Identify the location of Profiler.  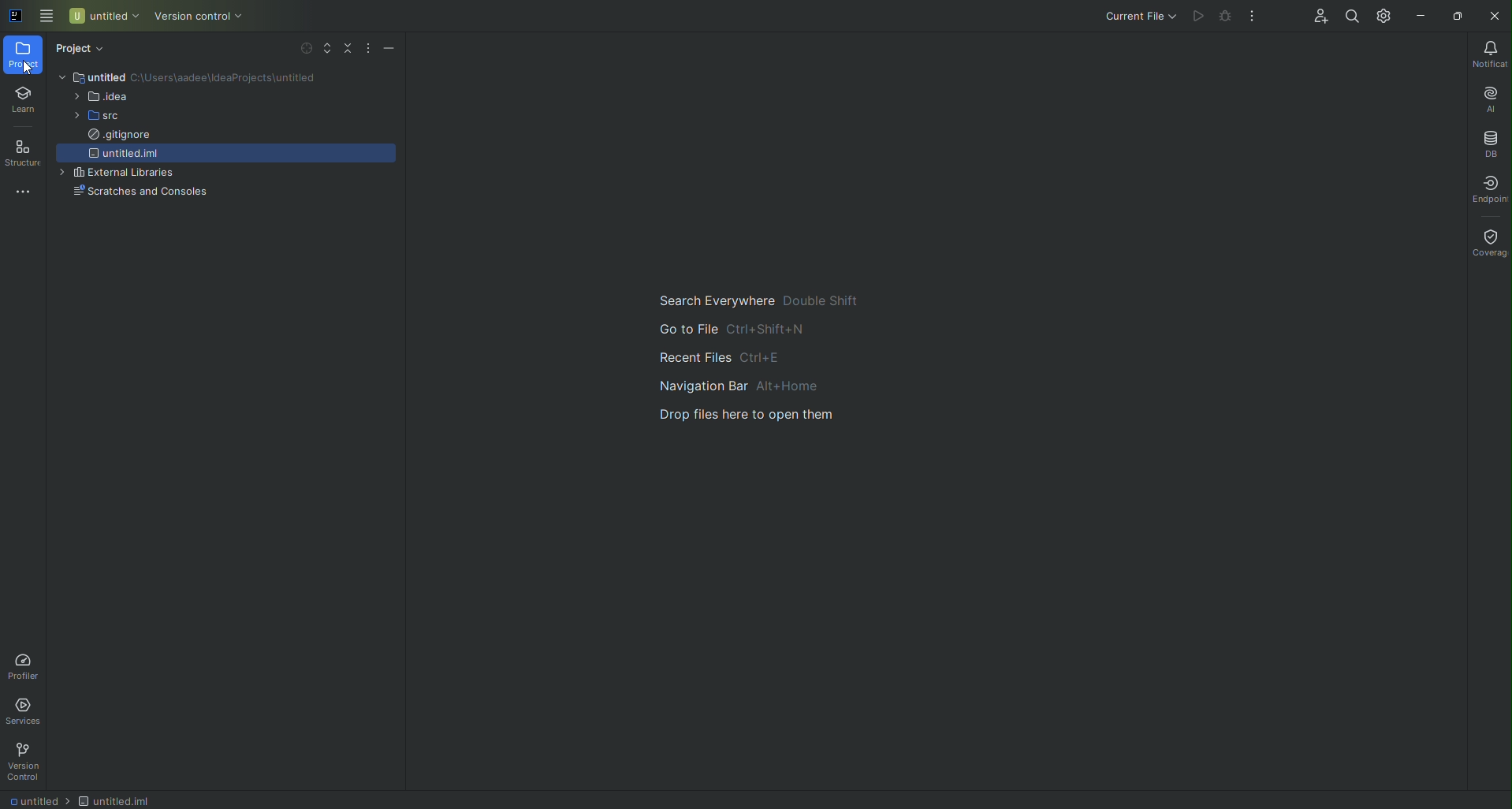
(32, 665).